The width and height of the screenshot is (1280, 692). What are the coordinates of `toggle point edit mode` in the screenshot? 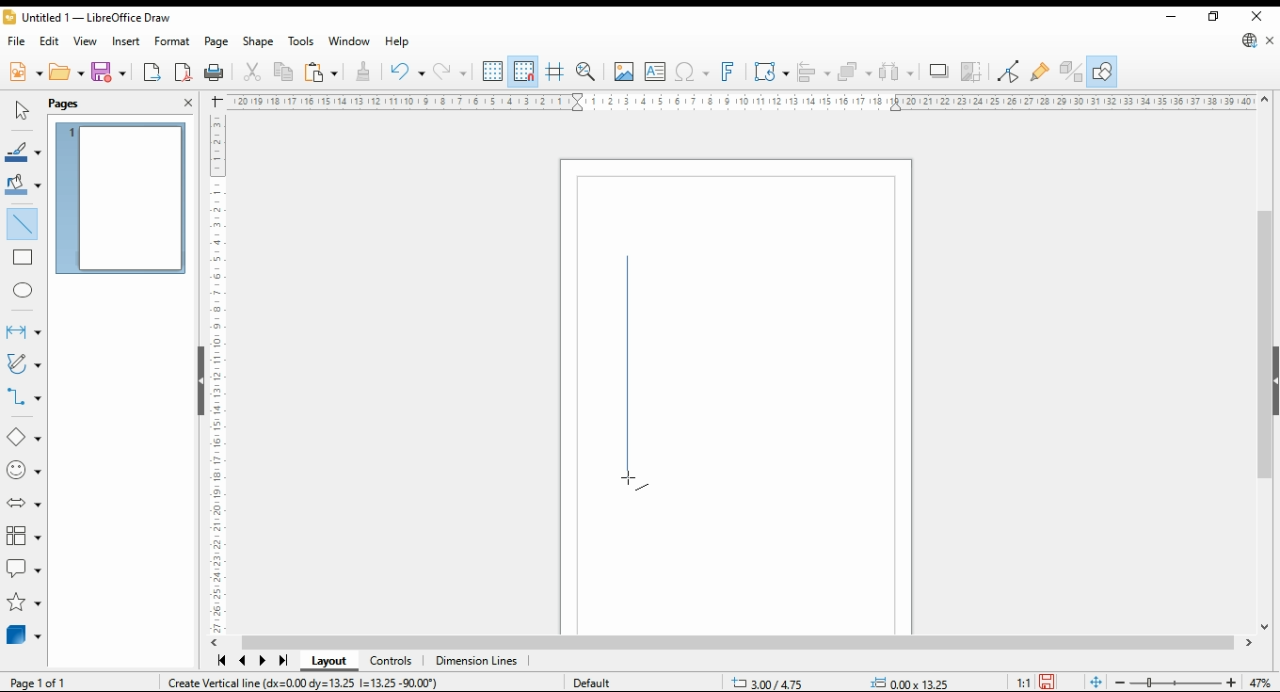 It's located at (1010, 69).